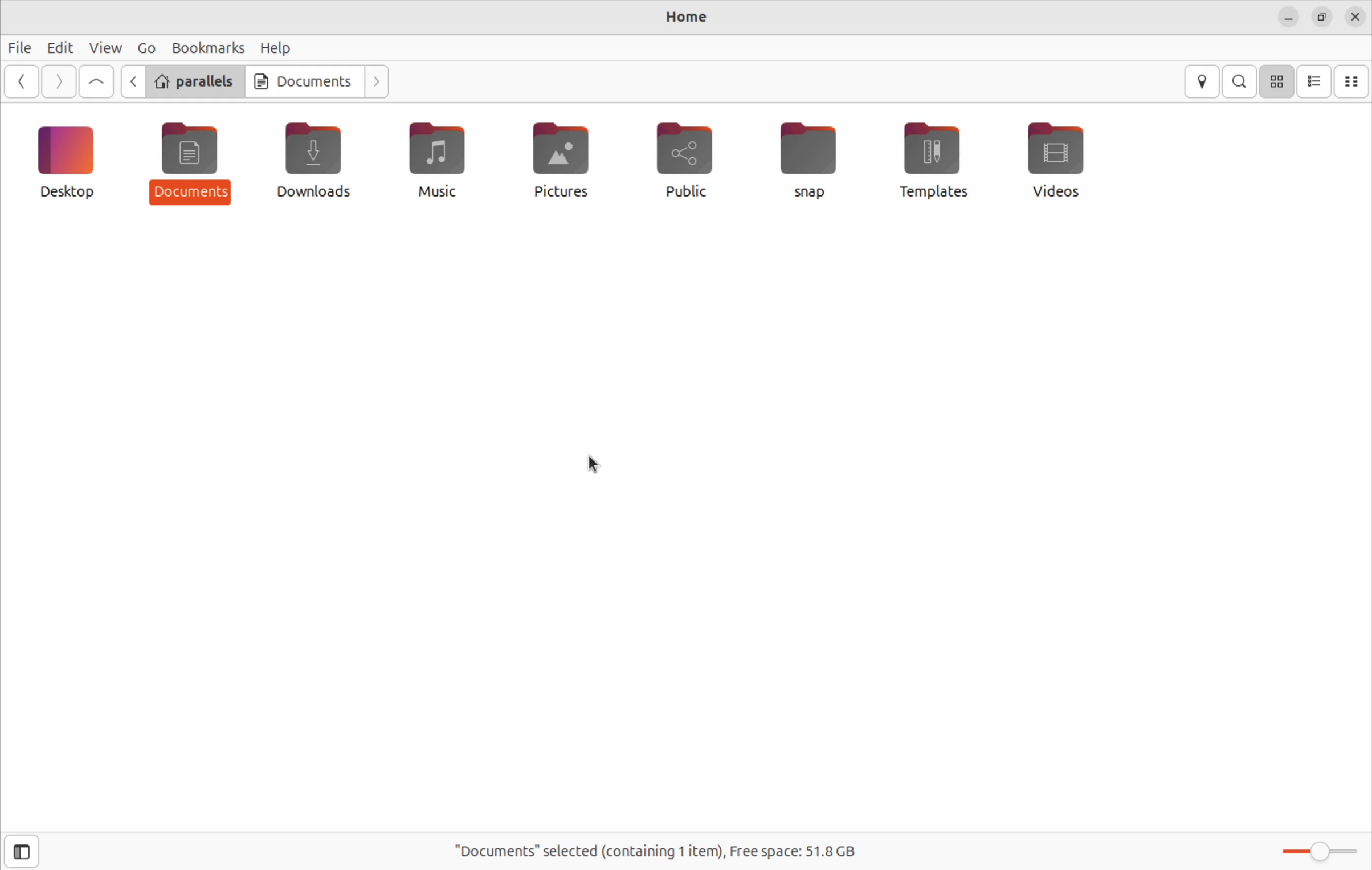  I want to click on search, so click(1240, 83).